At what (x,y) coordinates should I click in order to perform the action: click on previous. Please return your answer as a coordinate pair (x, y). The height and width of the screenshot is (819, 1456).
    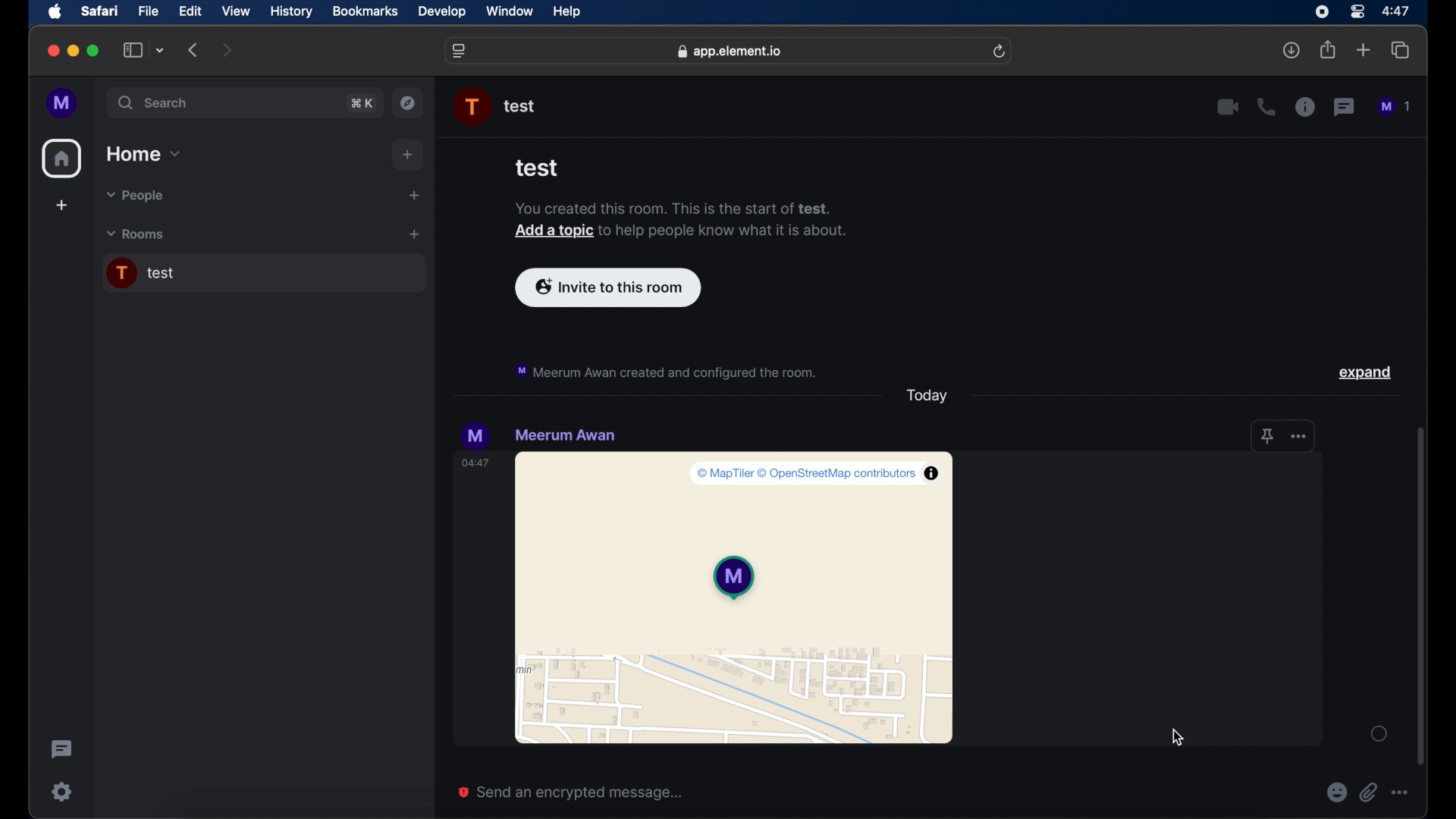
    Looking at the image, I should click on (194, 50).